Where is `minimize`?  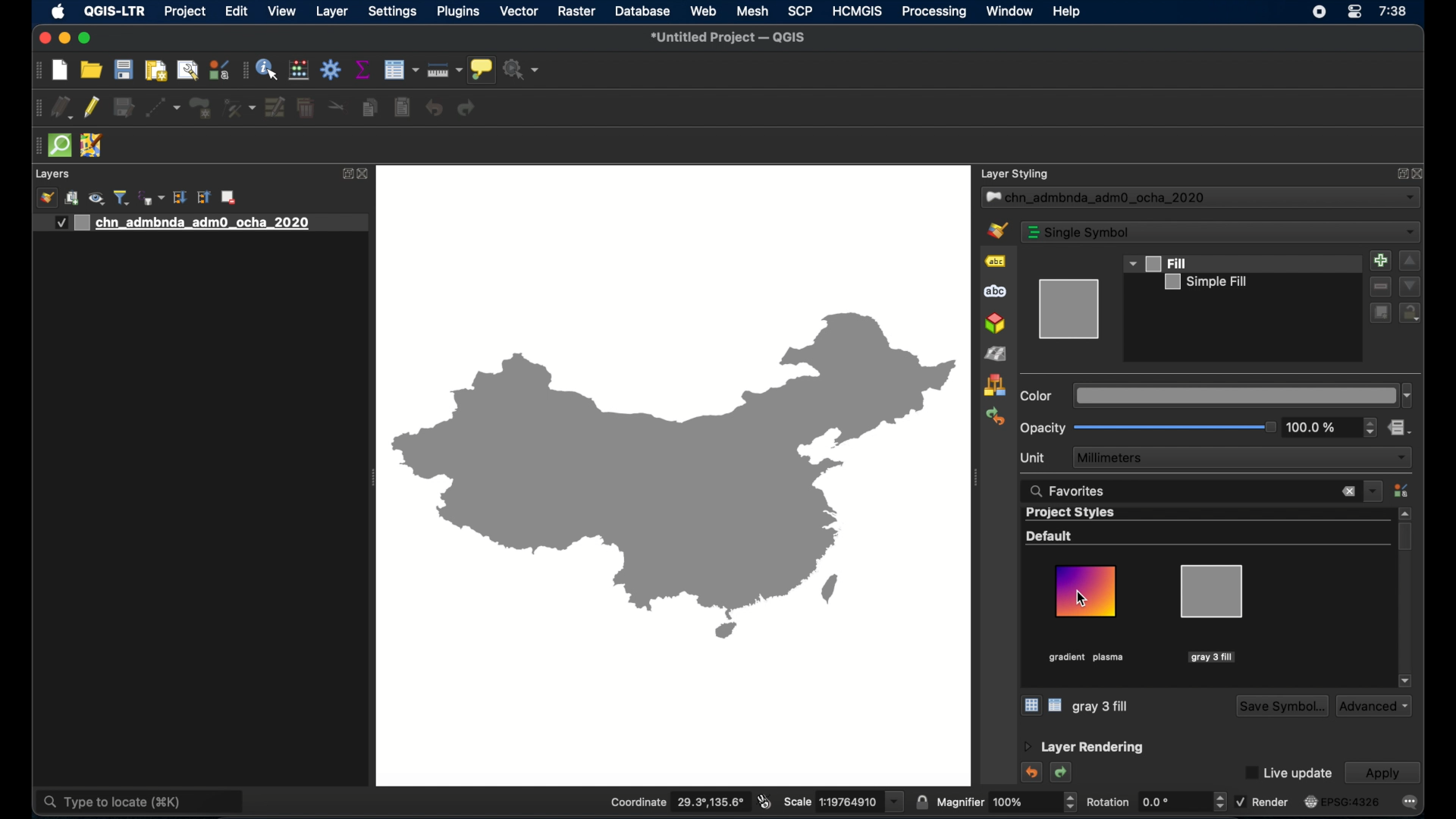
minimize is located at coordinates (65, 39).